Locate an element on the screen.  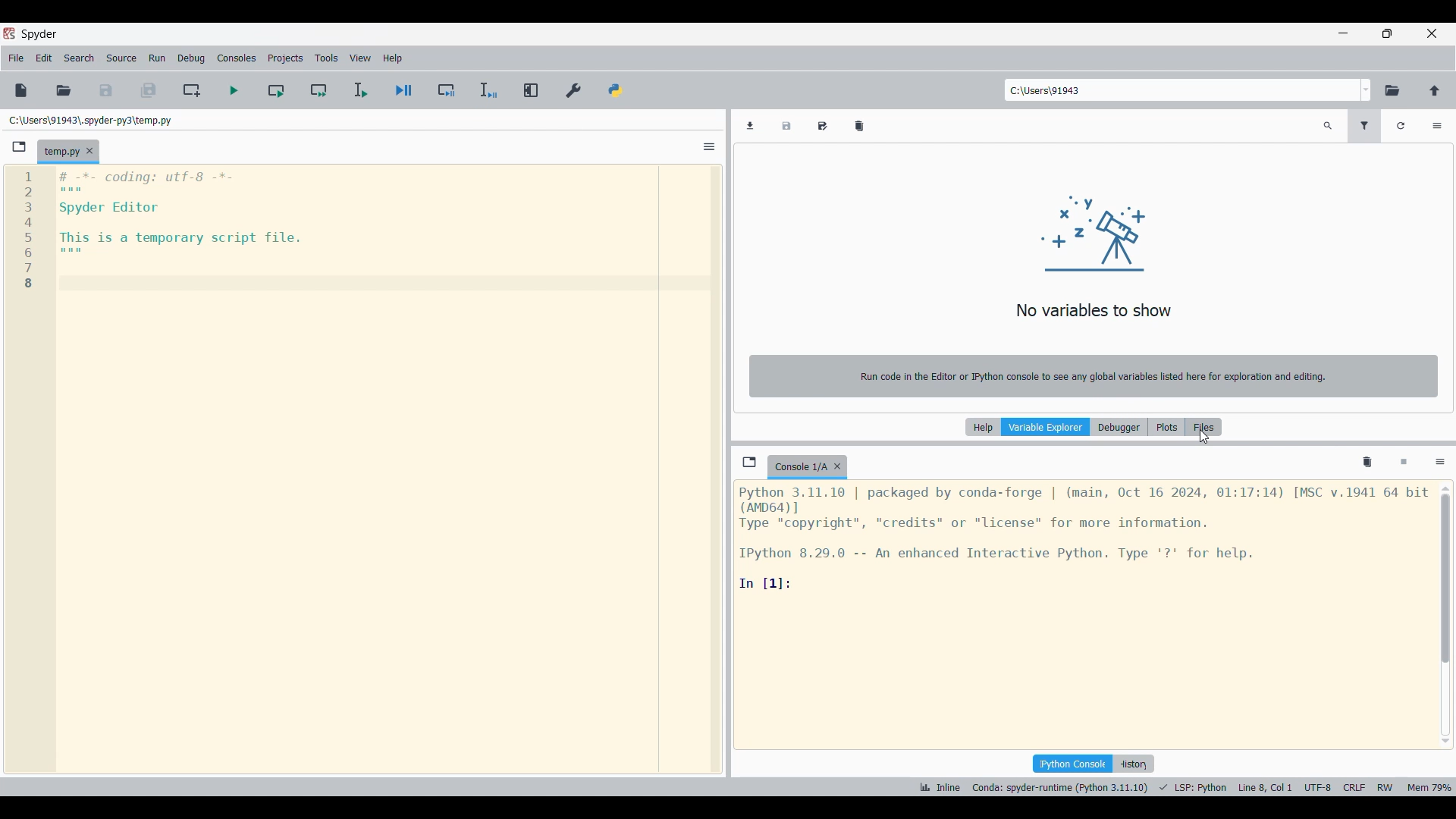
History is located at coordinates (1133, 764).